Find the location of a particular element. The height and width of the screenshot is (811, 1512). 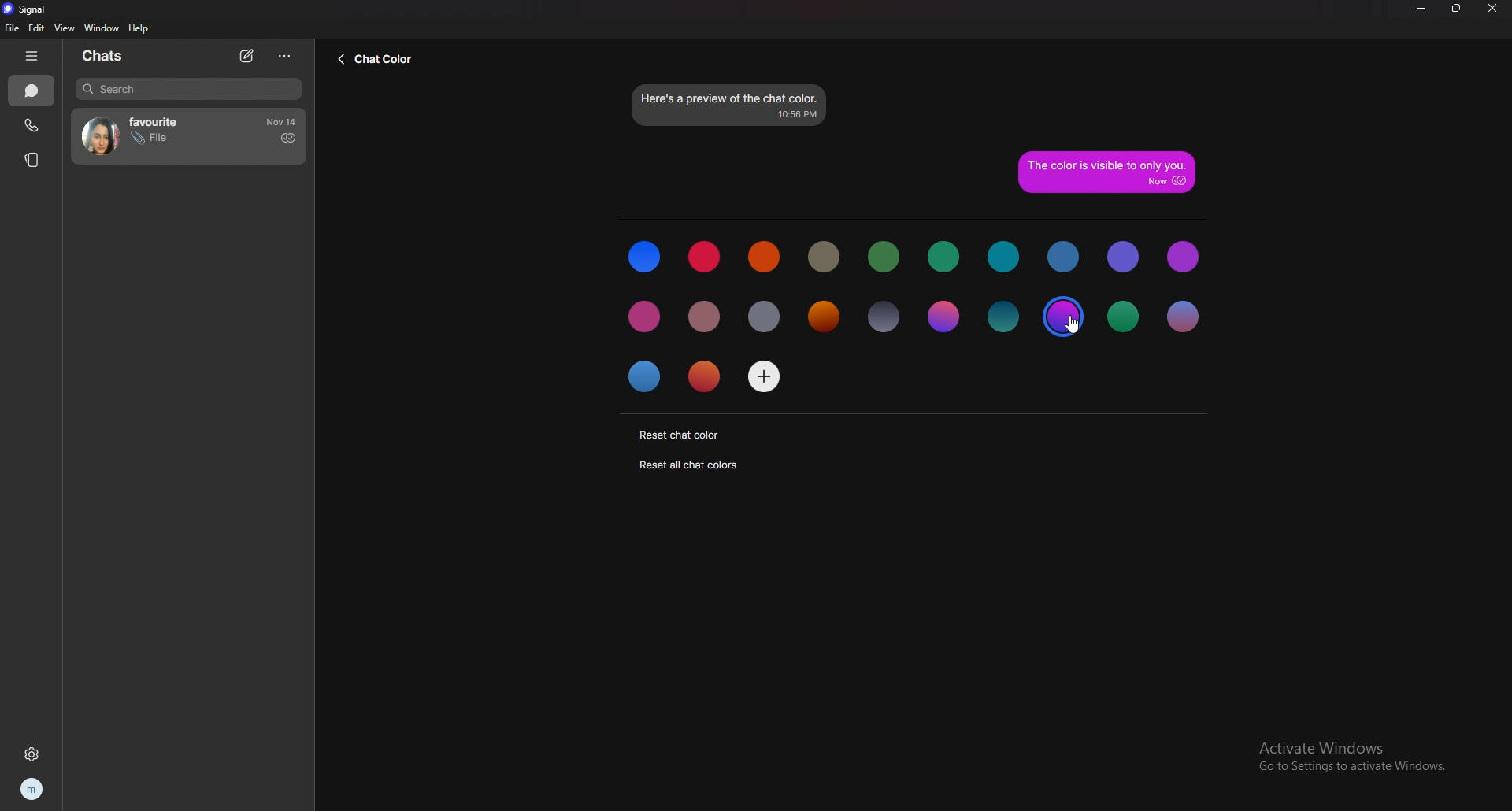

color is located at coordinates (704, 257).